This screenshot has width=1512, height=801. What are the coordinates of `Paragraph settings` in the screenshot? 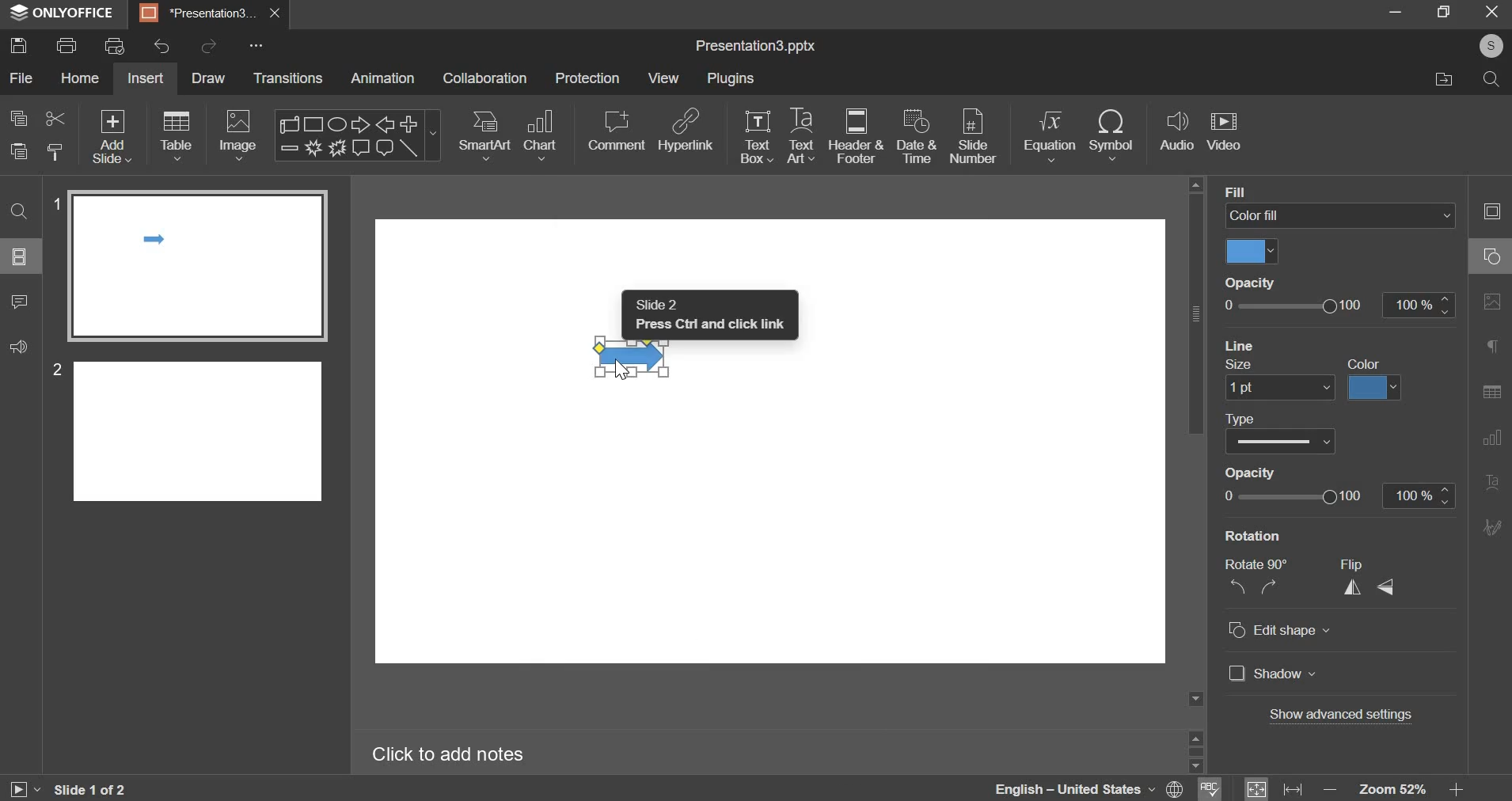 It's located at (1492, 345).